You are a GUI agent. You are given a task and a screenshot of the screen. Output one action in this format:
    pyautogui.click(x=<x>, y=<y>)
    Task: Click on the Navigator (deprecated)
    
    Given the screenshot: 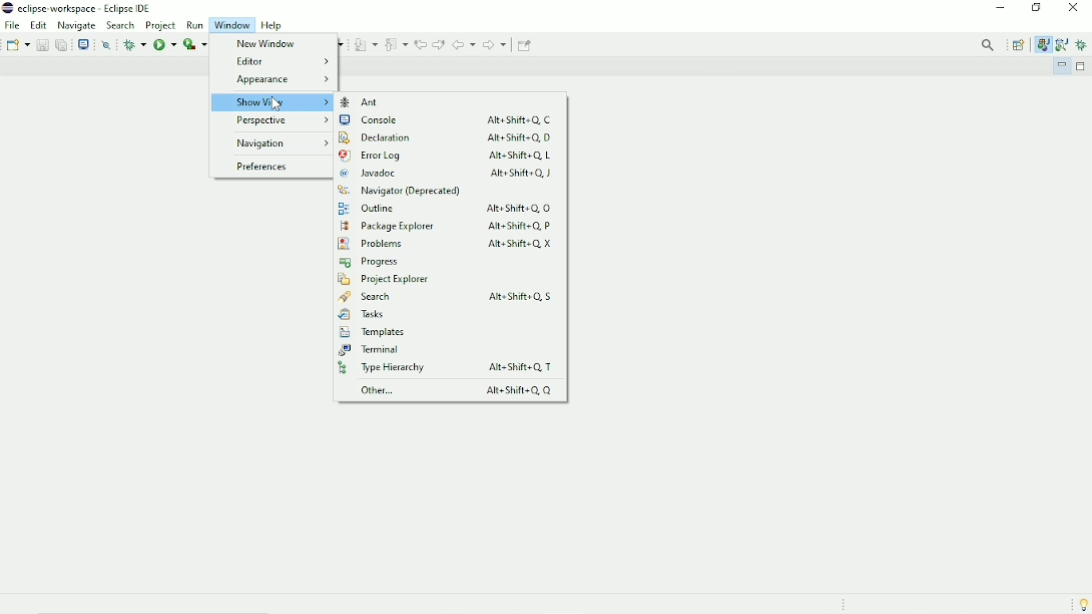 What is the action you would take?
    pyautogui.click(x=400, y=191)
    